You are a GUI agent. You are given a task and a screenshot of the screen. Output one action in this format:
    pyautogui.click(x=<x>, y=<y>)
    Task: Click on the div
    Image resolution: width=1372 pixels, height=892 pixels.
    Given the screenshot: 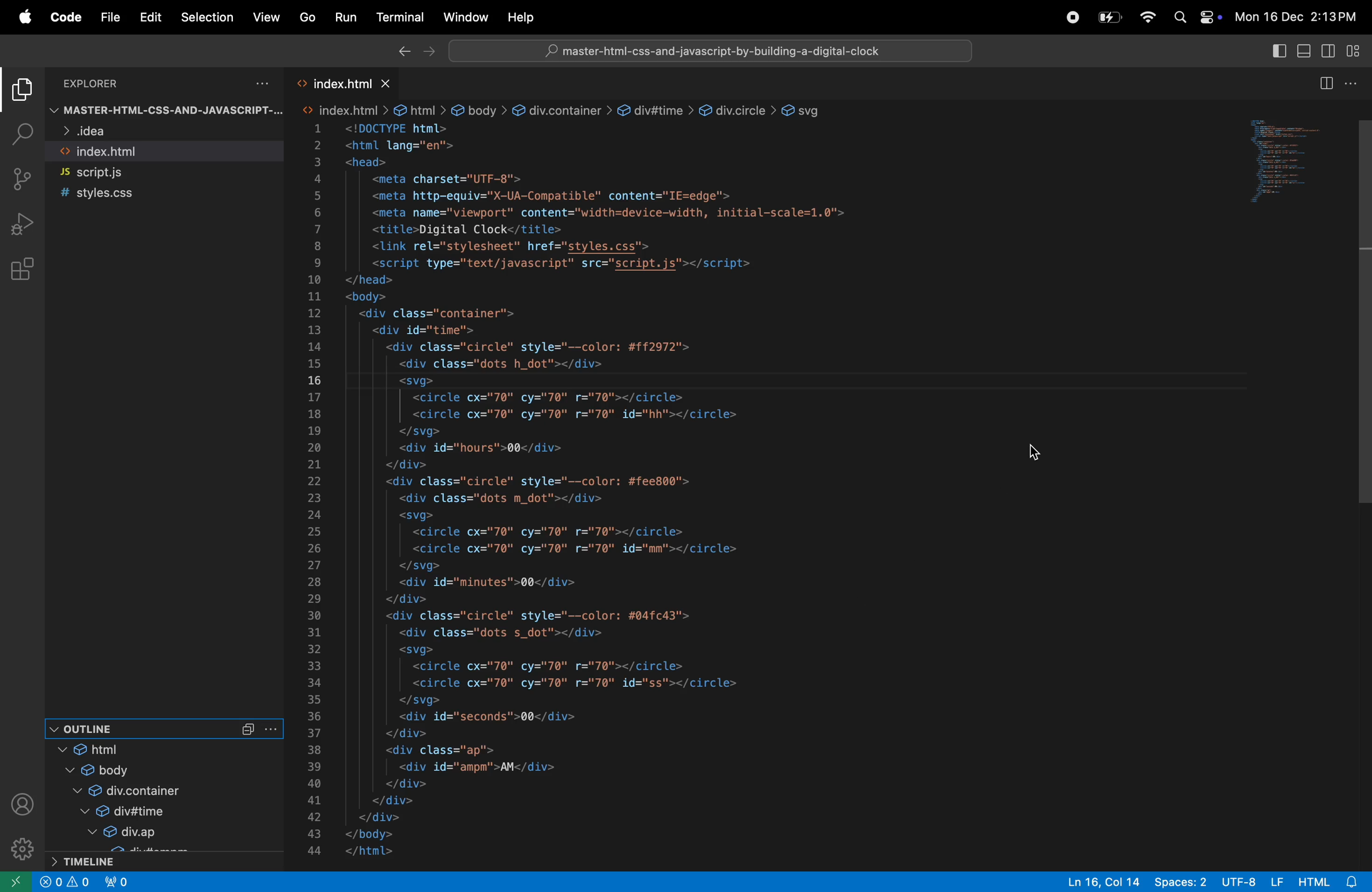 What is the action you would take?
    pyautogui.click(x=655, y=111)
    